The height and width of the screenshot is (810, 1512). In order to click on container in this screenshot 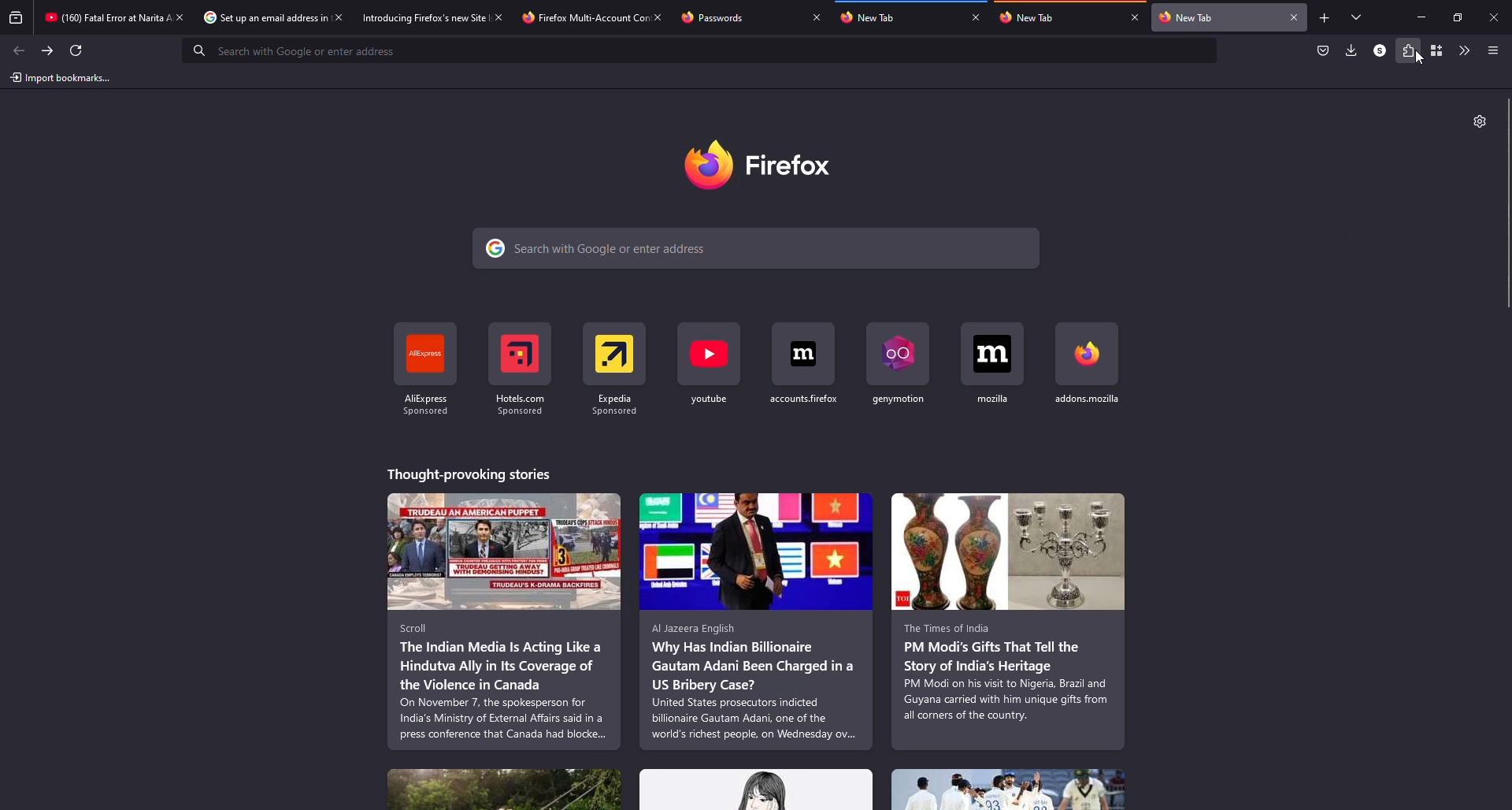, I will do `click(1436, 50)`.